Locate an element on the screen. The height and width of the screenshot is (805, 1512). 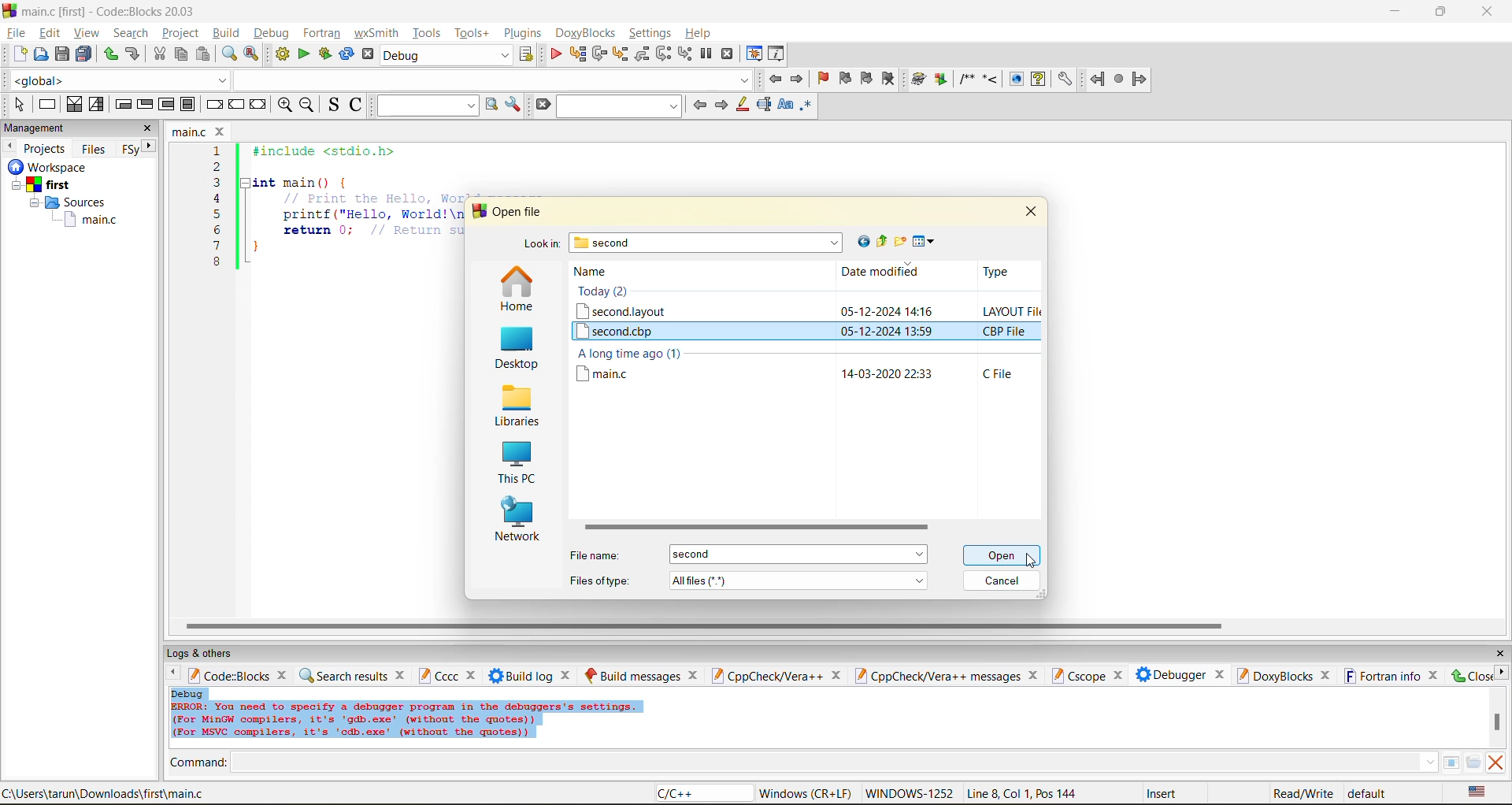
open/browse is located at coordinates (1473, 763).